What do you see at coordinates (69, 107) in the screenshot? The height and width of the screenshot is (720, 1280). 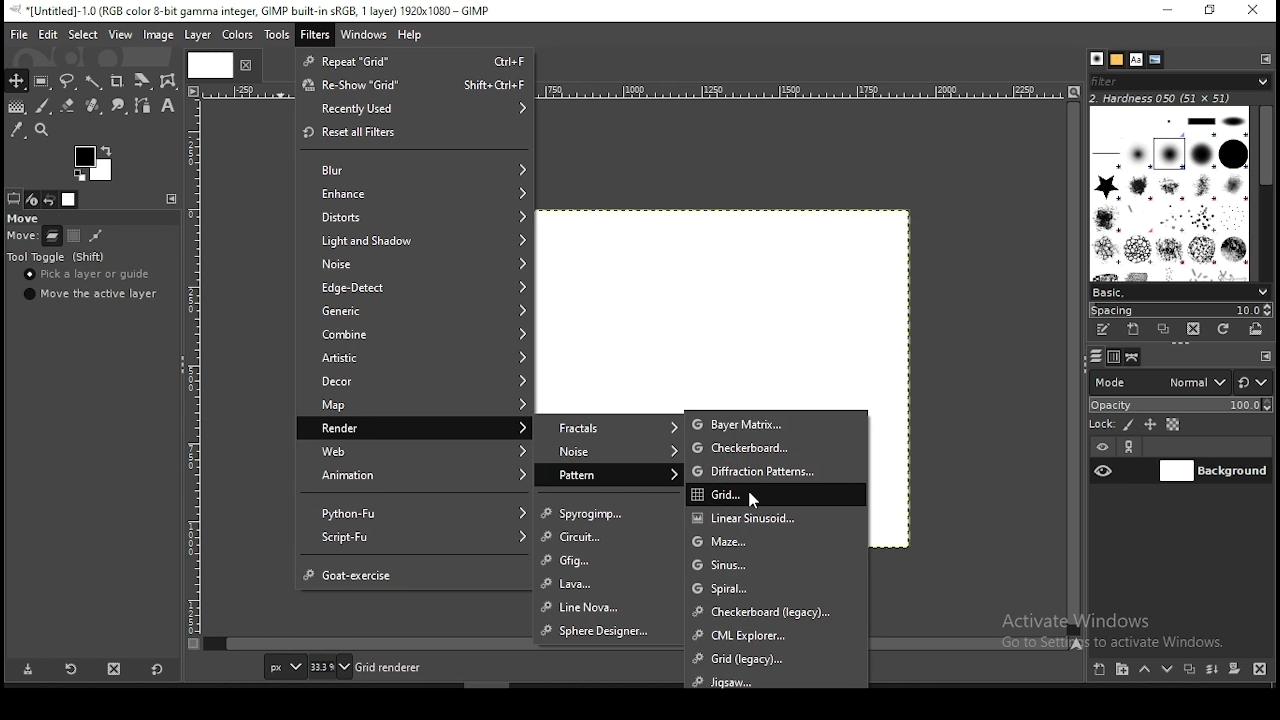 I see `eraser tool` at bounding box center [69, 107].